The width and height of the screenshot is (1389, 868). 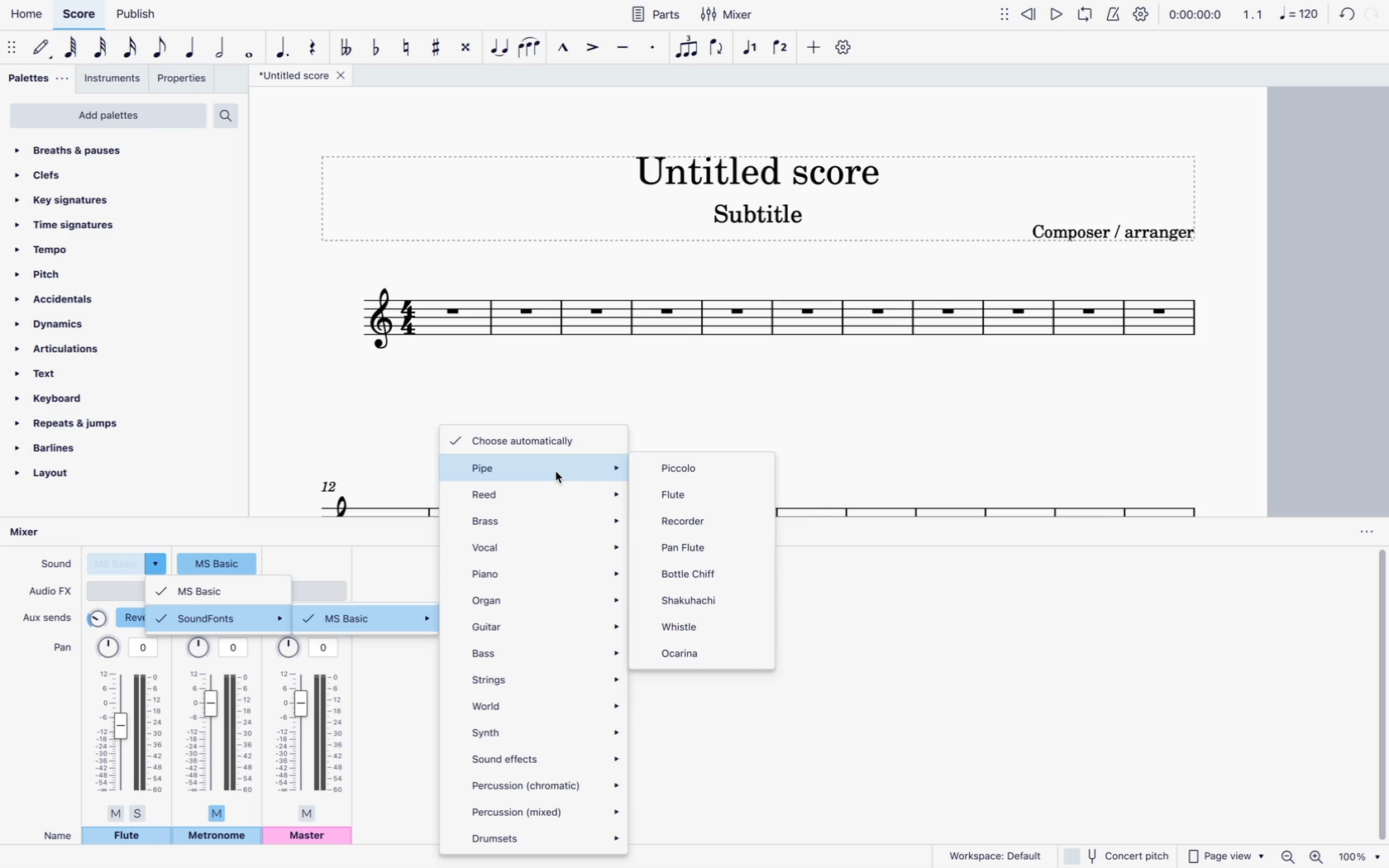 I want to click on reverb, so click(x=117, y=618).